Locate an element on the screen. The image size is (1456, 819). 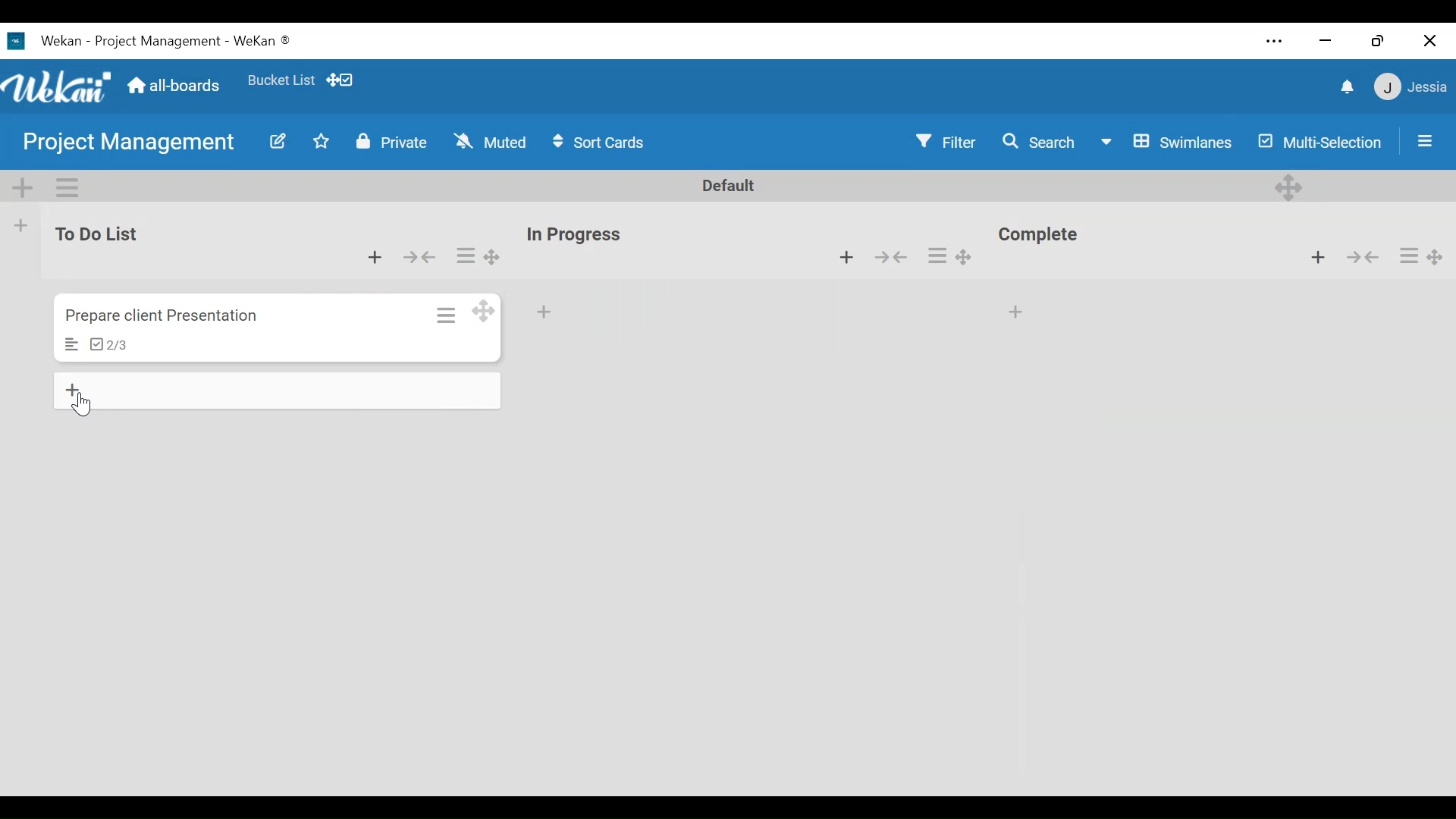
Sort cards is located at coordinates (601, 143).